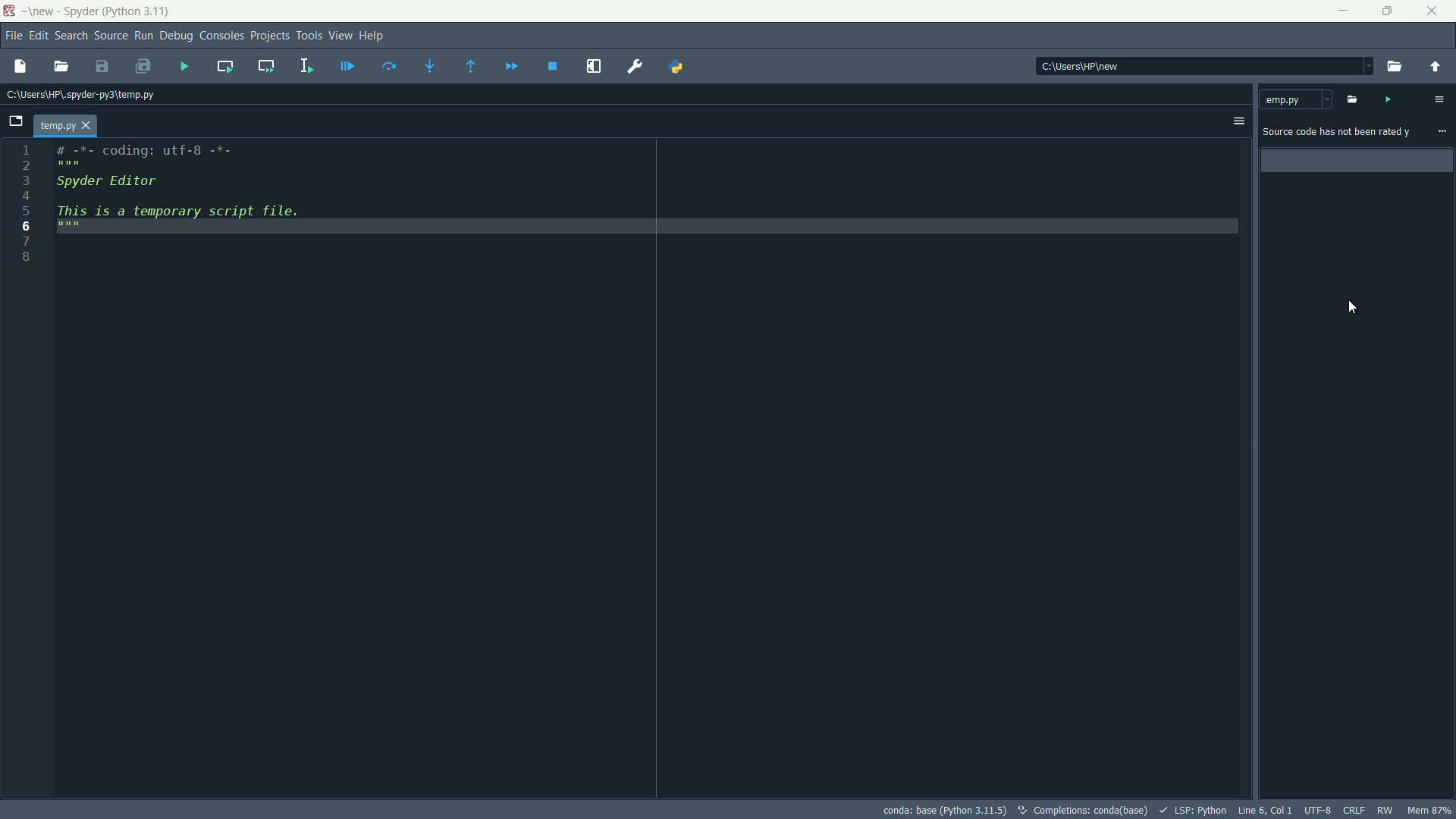  I want to click on preferences, so click(638, 67).